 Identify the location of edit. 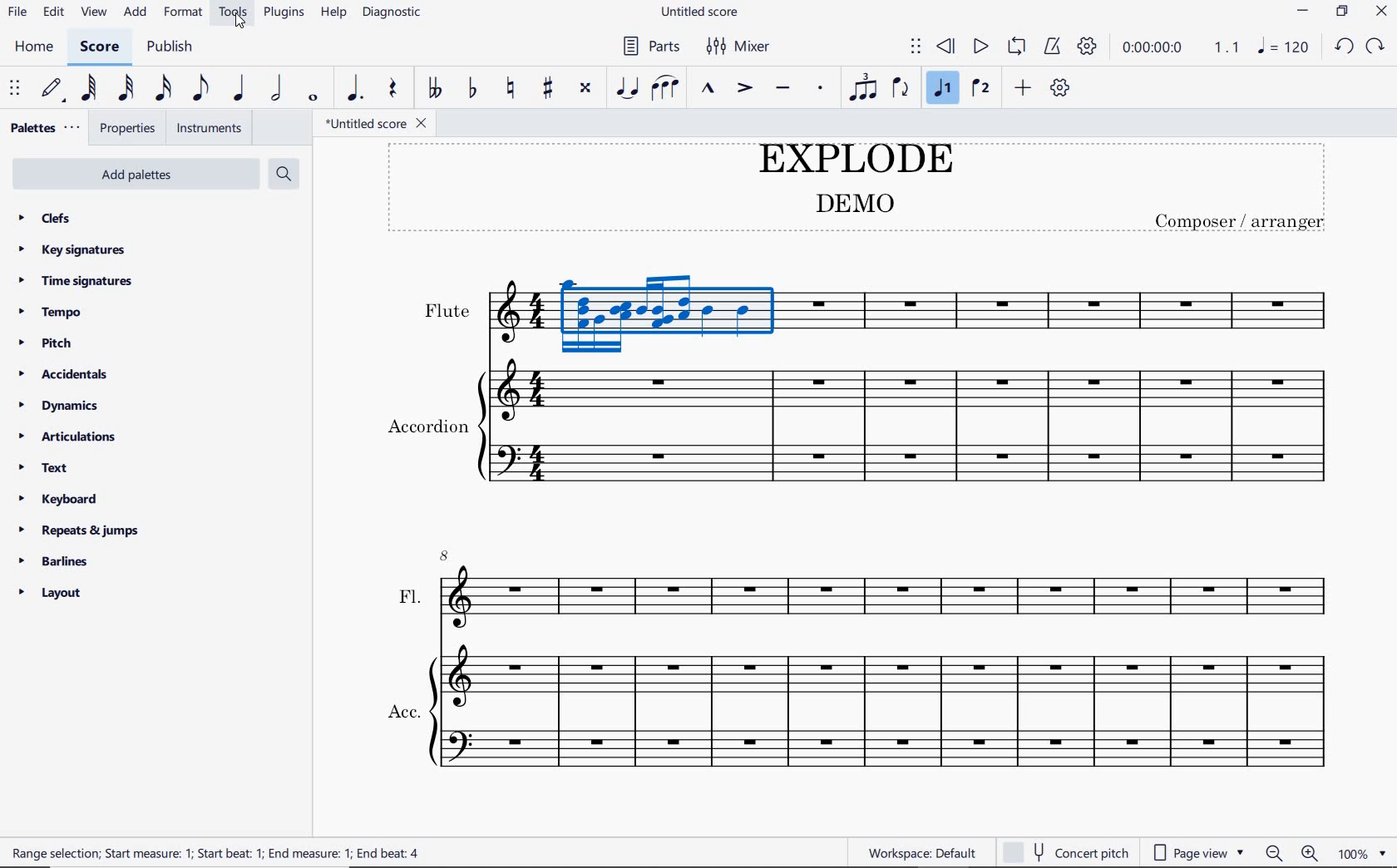
(53, 12).